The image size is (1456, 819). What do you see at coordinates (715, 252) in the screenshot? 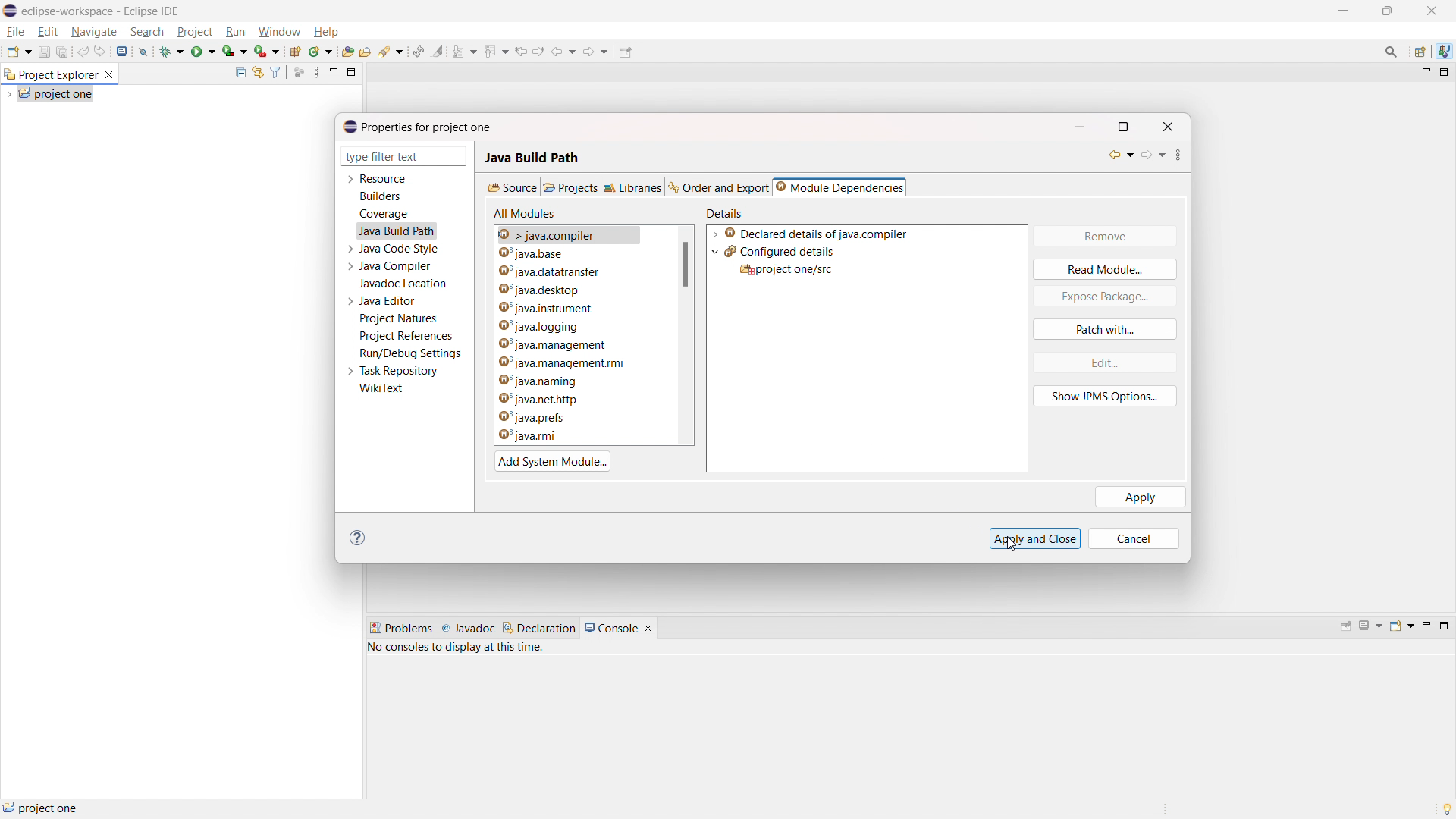
I see `expand configuration details` at bounding box center [715, 252].